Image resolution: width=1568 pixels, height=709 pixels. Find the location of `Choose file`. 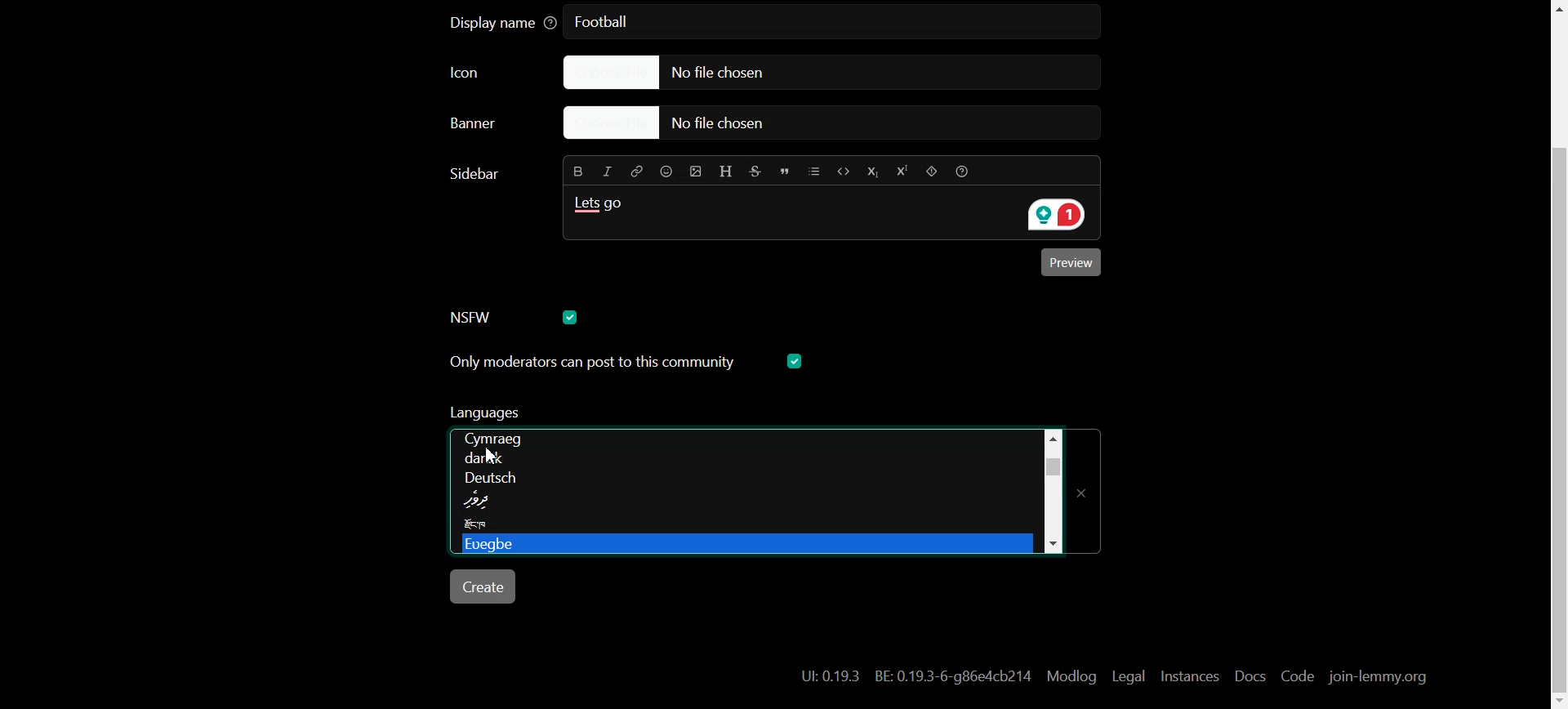

Choose file is located at coordinates (835, 124).